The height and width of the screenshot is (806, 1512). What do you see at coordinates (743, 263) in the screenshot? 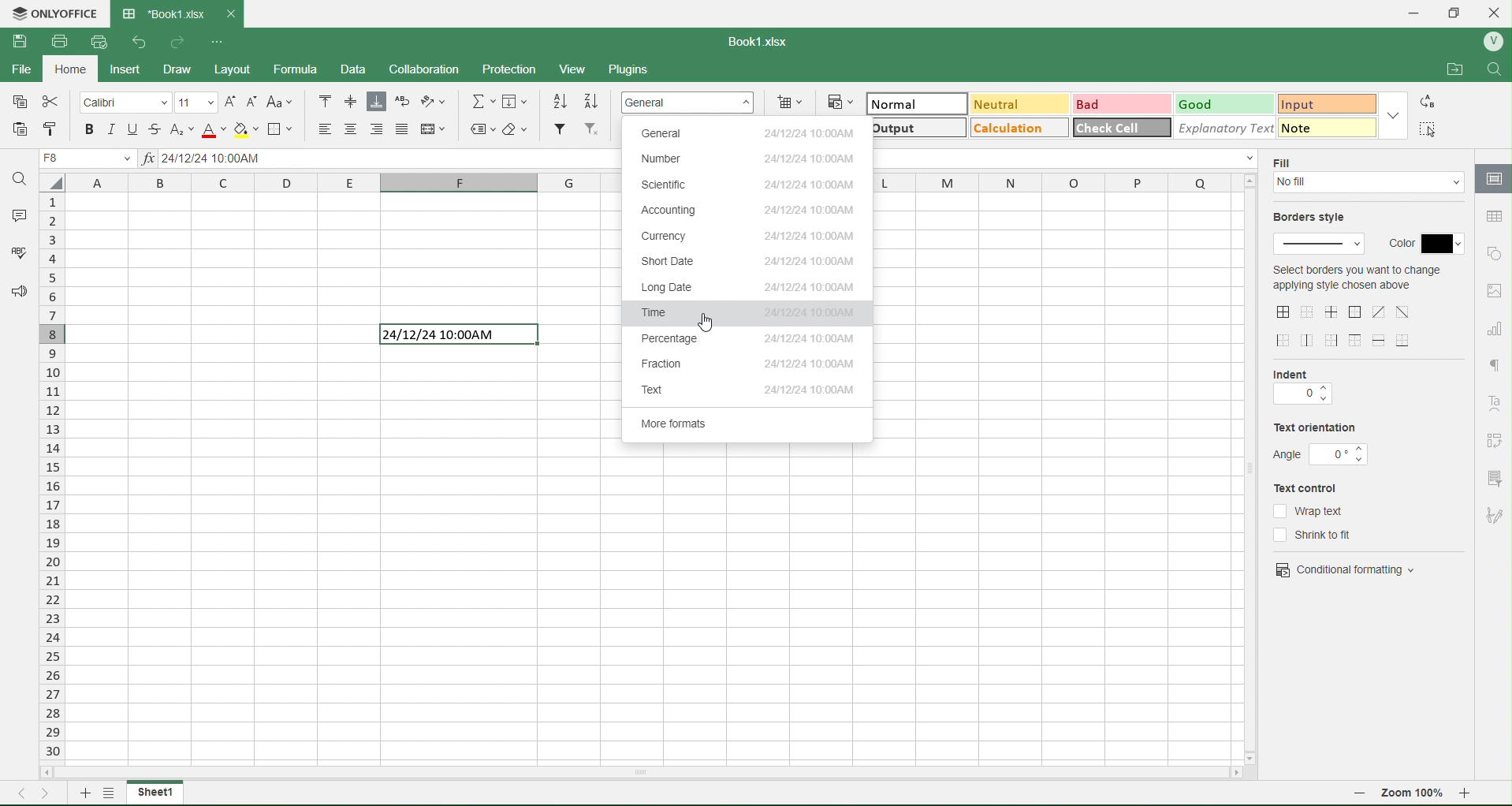
I see `Short Date` at bounding box center [743, 263].